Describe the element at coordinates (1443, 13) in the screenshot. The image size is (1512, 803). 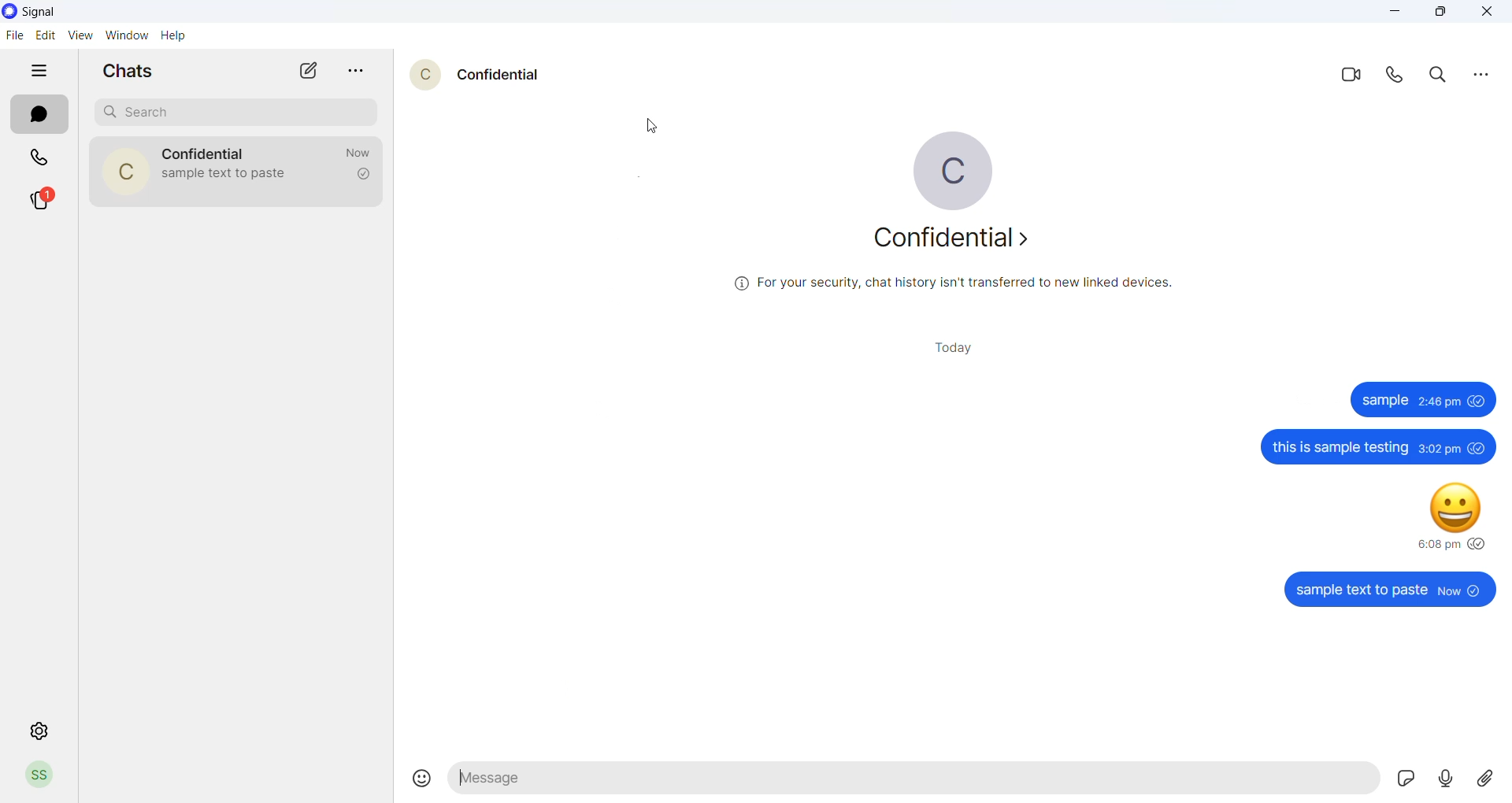
I see `maximize` at that location.